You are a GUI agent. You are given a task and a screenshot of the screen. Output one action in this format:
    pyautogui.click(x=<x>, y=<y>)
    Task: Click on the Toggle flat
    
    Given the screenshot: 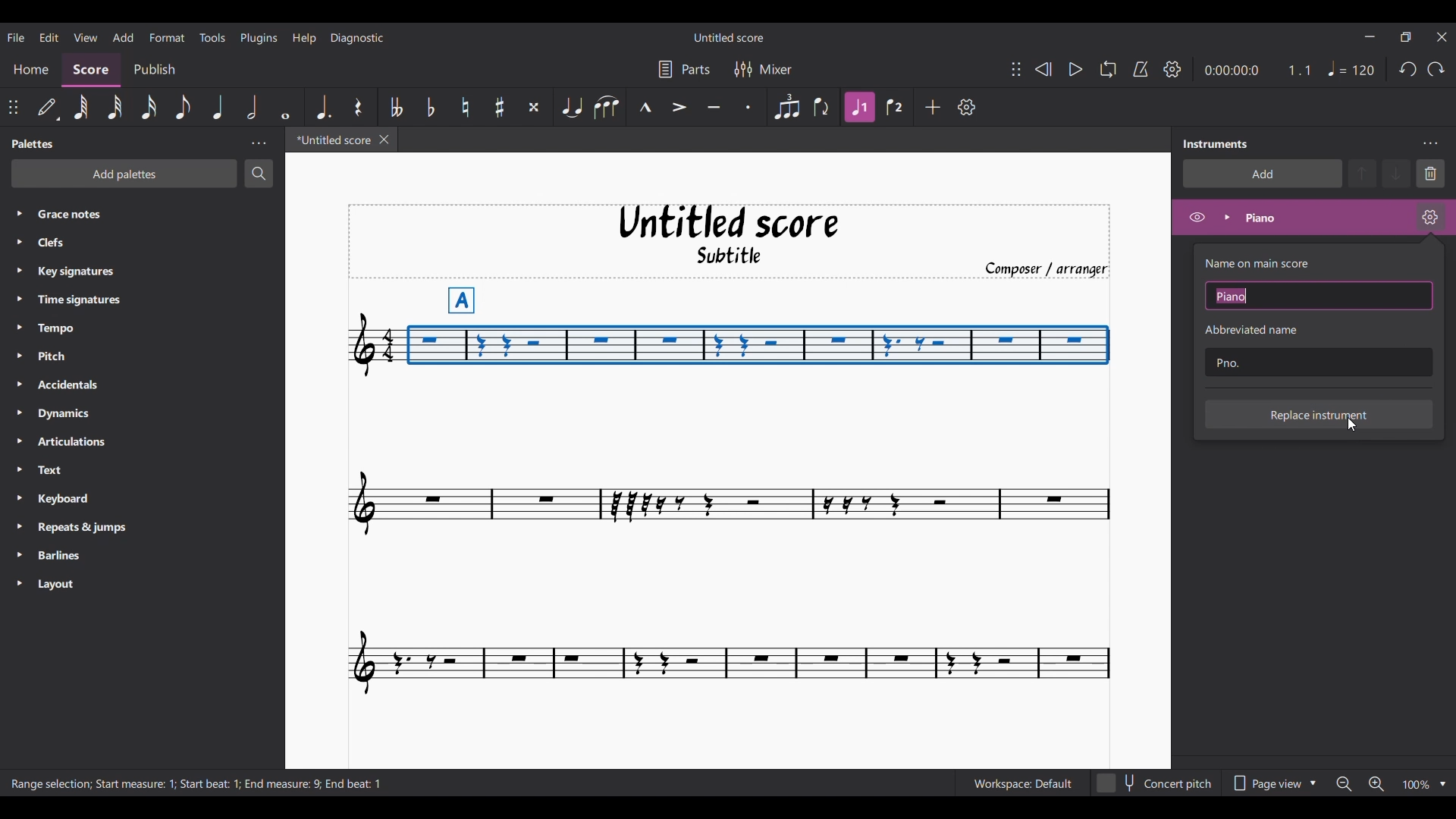 What is the action you would take?
    pyautogui.click(x=431, y=107)
    